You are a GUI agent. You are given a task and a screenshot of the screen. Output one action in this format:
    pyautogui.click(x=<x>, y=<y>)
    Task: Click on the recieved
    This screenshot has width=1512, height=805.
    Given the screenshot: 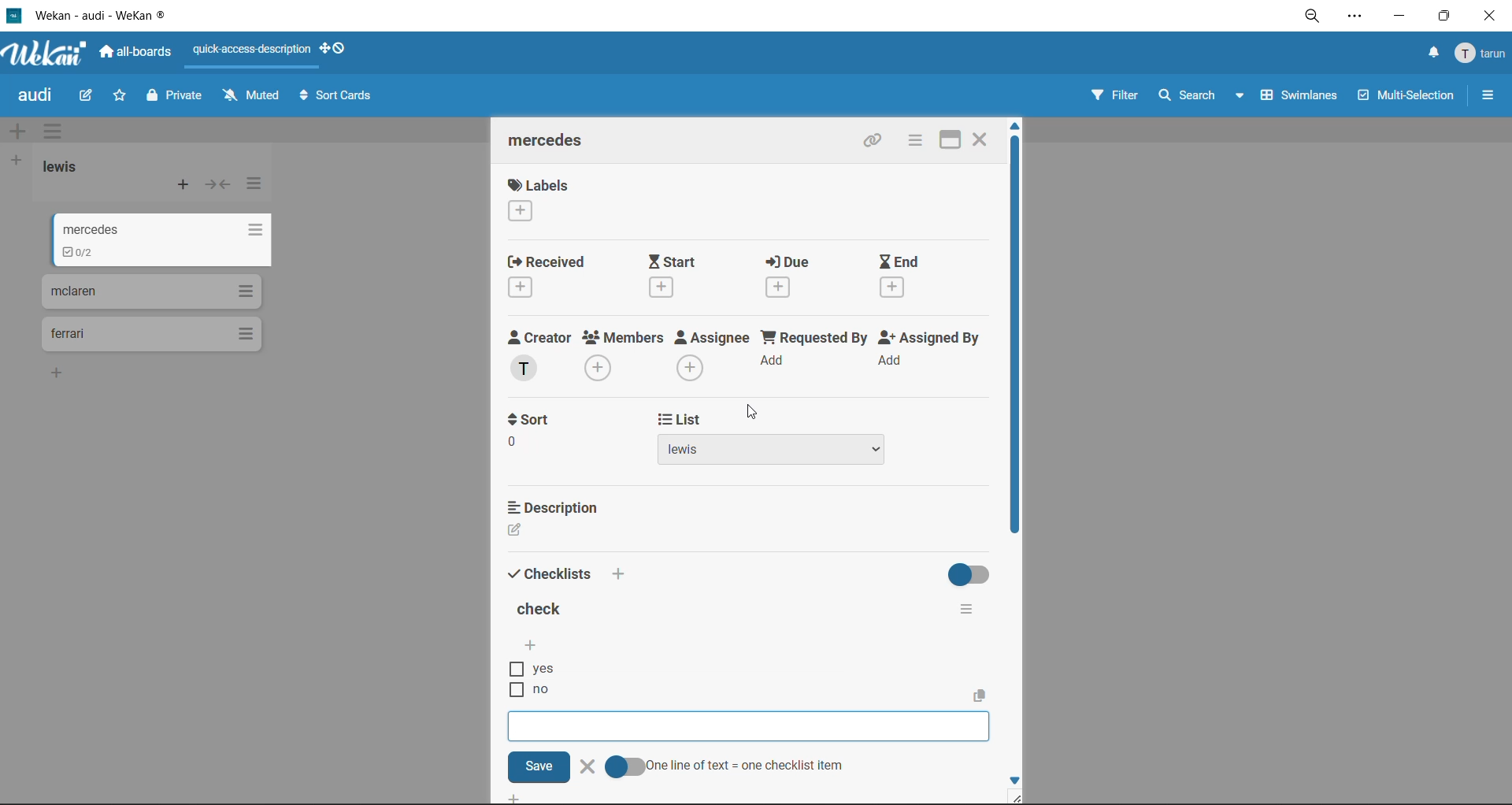 What is the action you would take?
    pyautogui.click(x=548, y=278)
    